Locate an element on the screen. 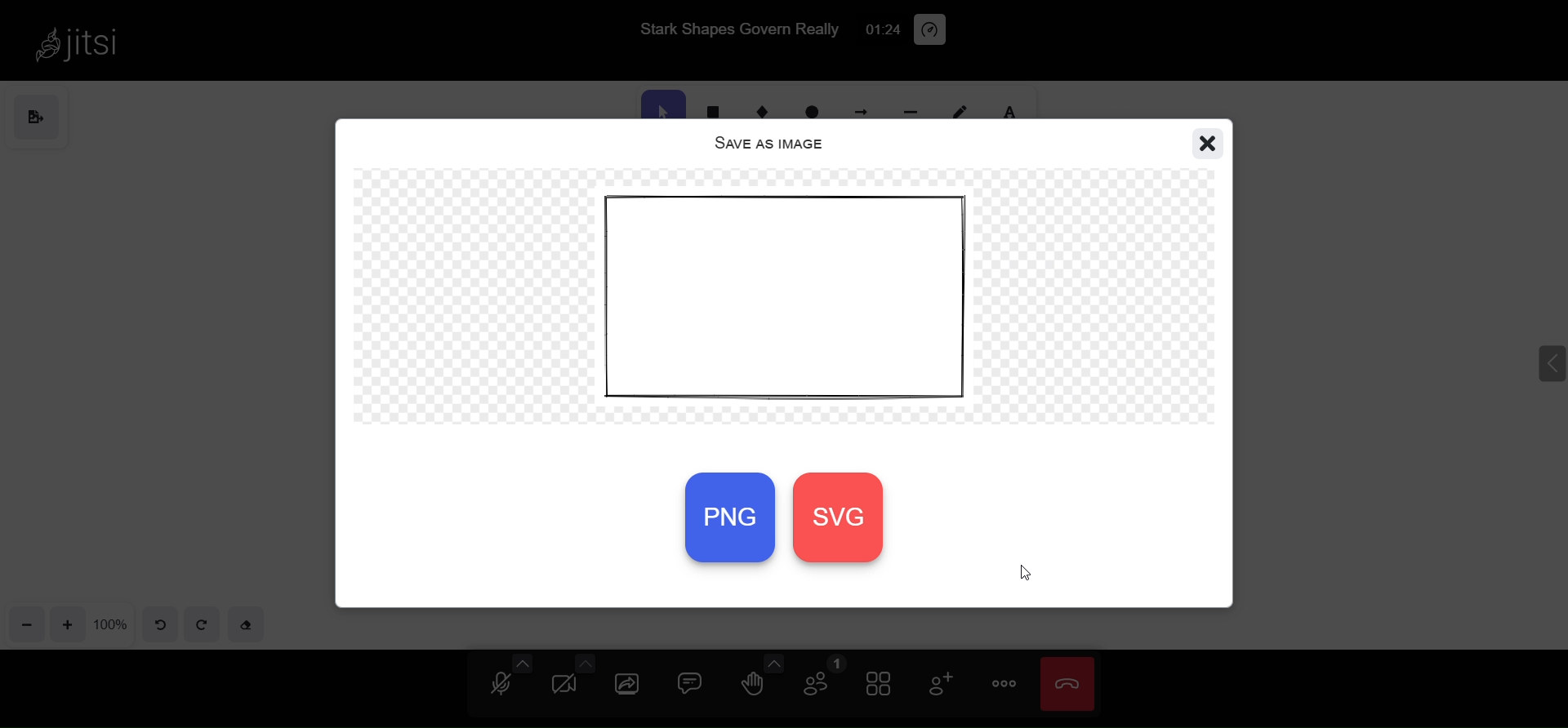 The image size is (1568, 728). invite people is located at coordinates (939, 685).